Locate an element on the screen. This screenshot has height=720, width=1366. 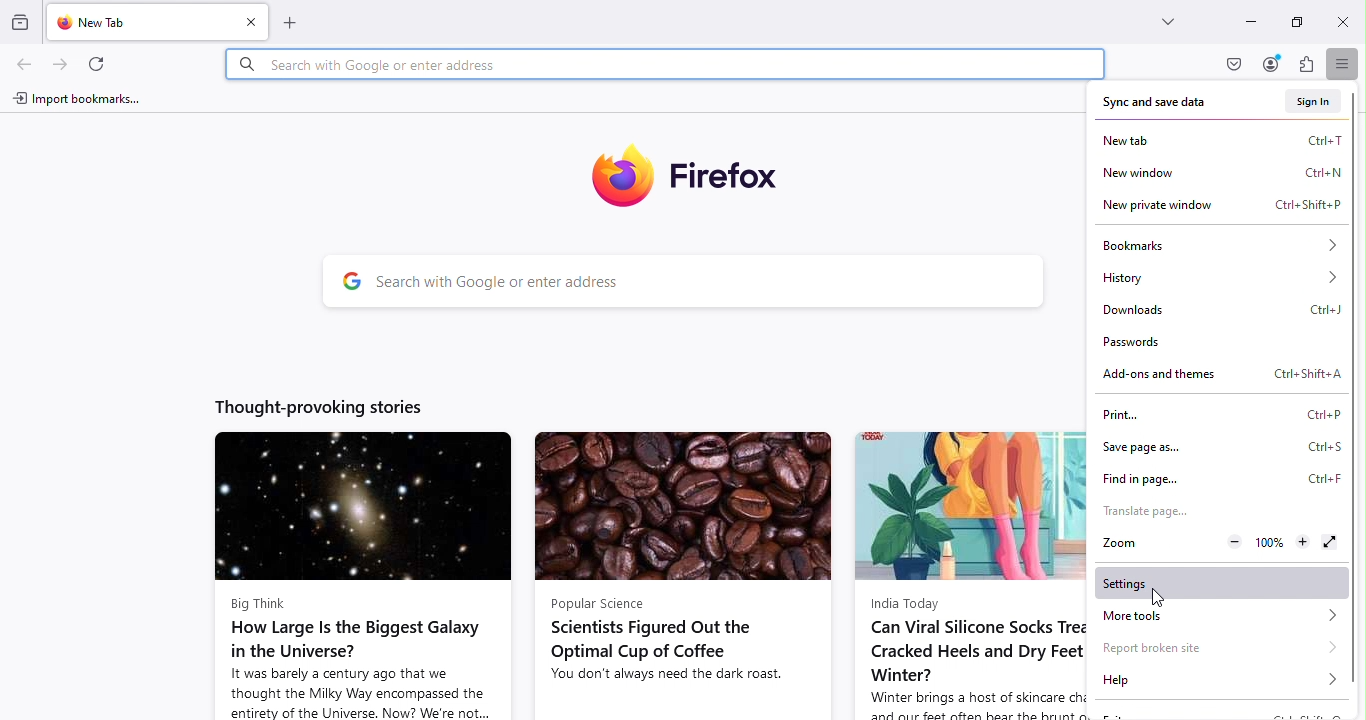
Save page as is located at coordinates (1217, 444).